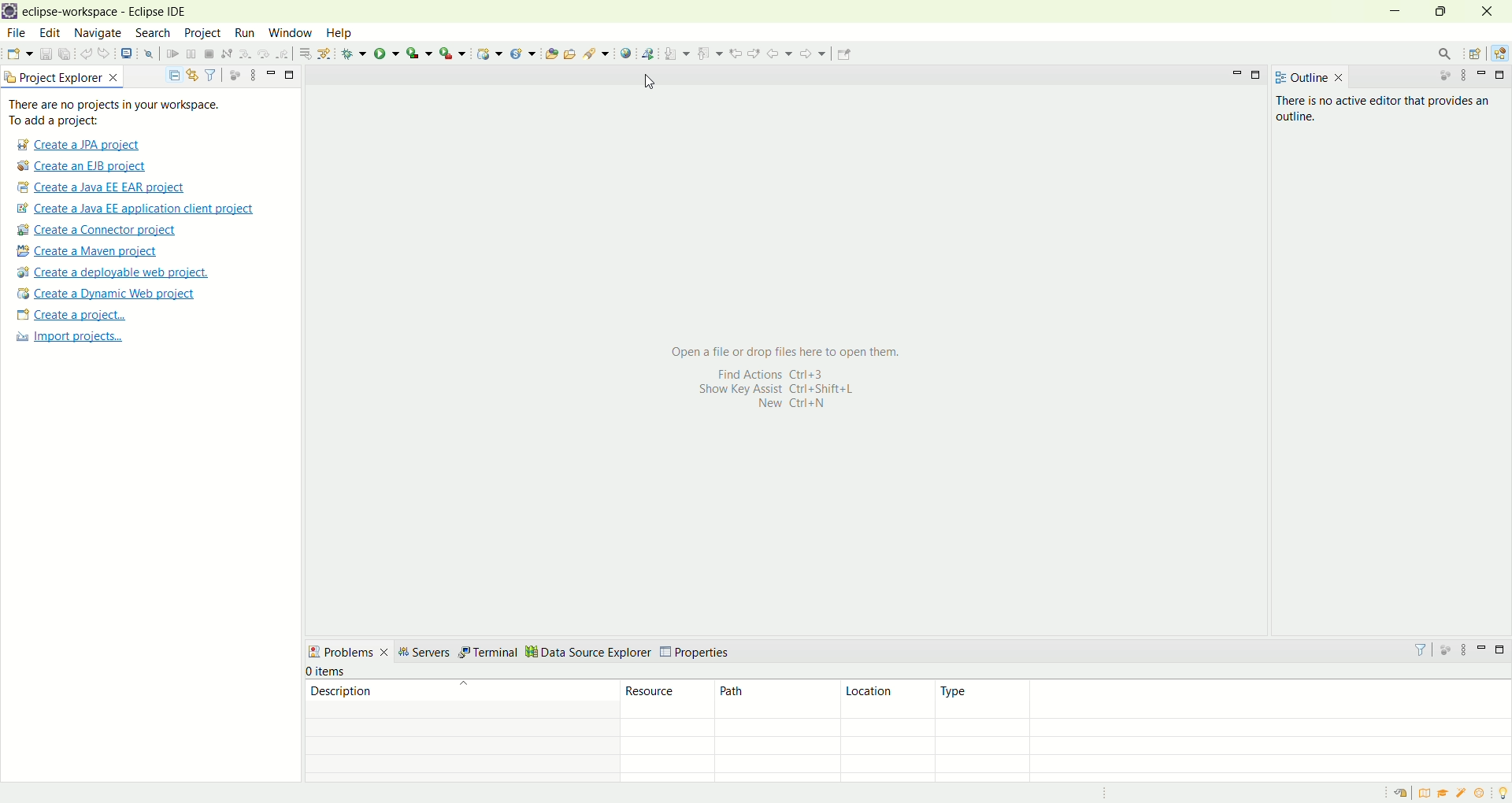 Image resolution: width=1512 pixels, height=803 pixels. Describe the element at coordinates (193, 75) in the screenshot. I see `link with editor` at that location.